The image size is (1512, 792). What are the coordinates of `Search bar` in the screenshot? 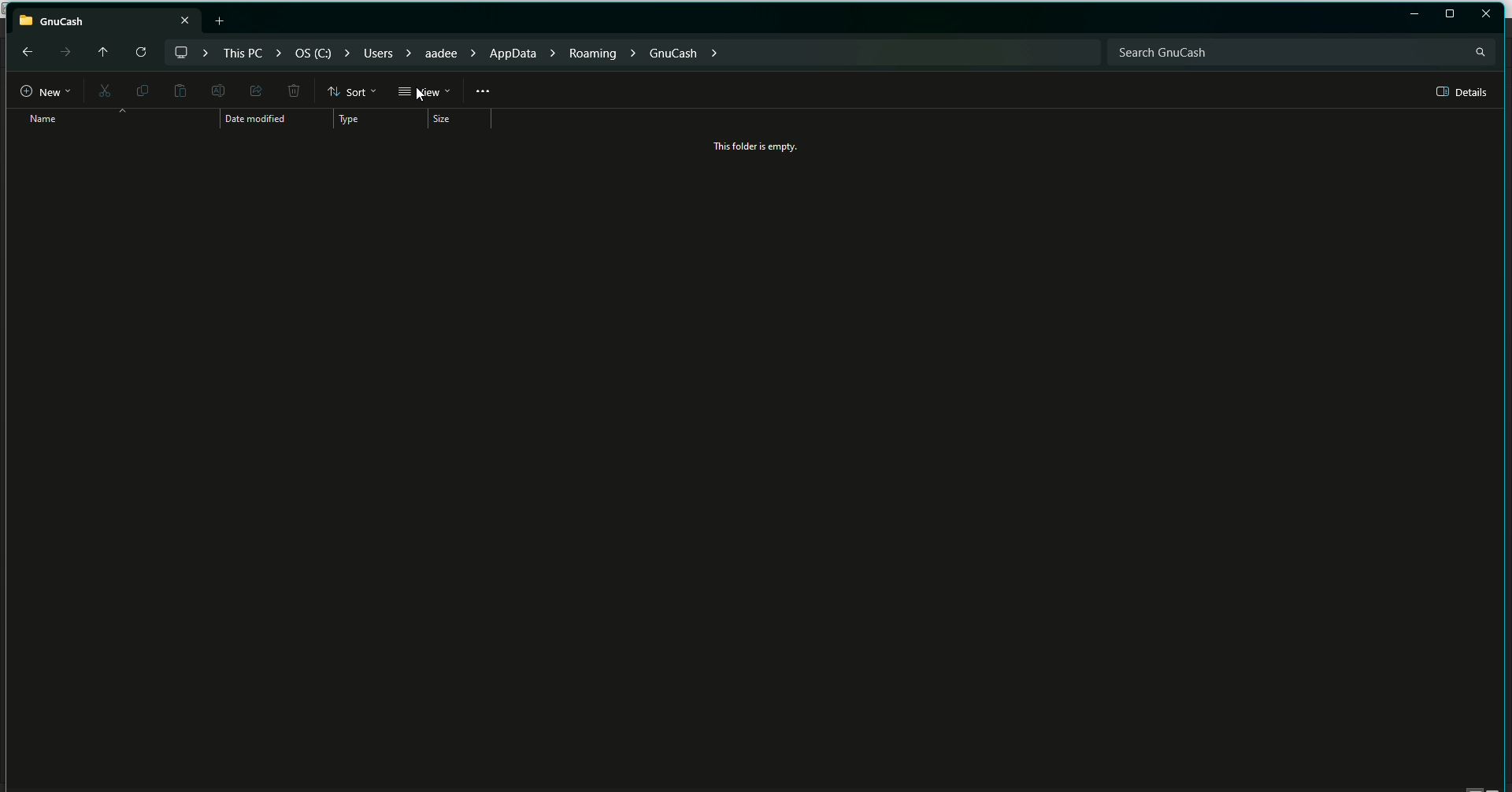 It's located at (1300, 51).